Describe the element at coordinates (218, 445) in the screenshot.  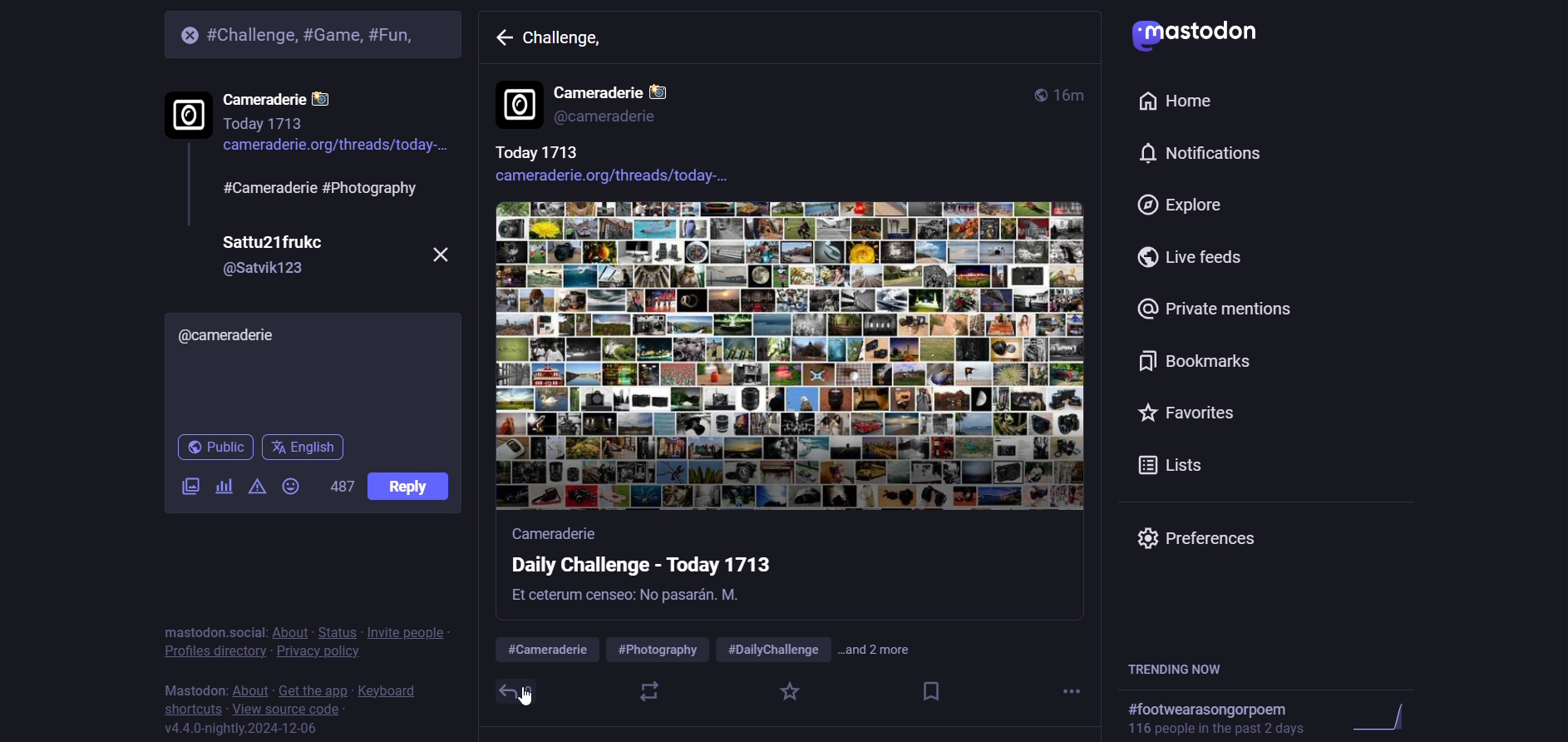
I see `public` at that location.